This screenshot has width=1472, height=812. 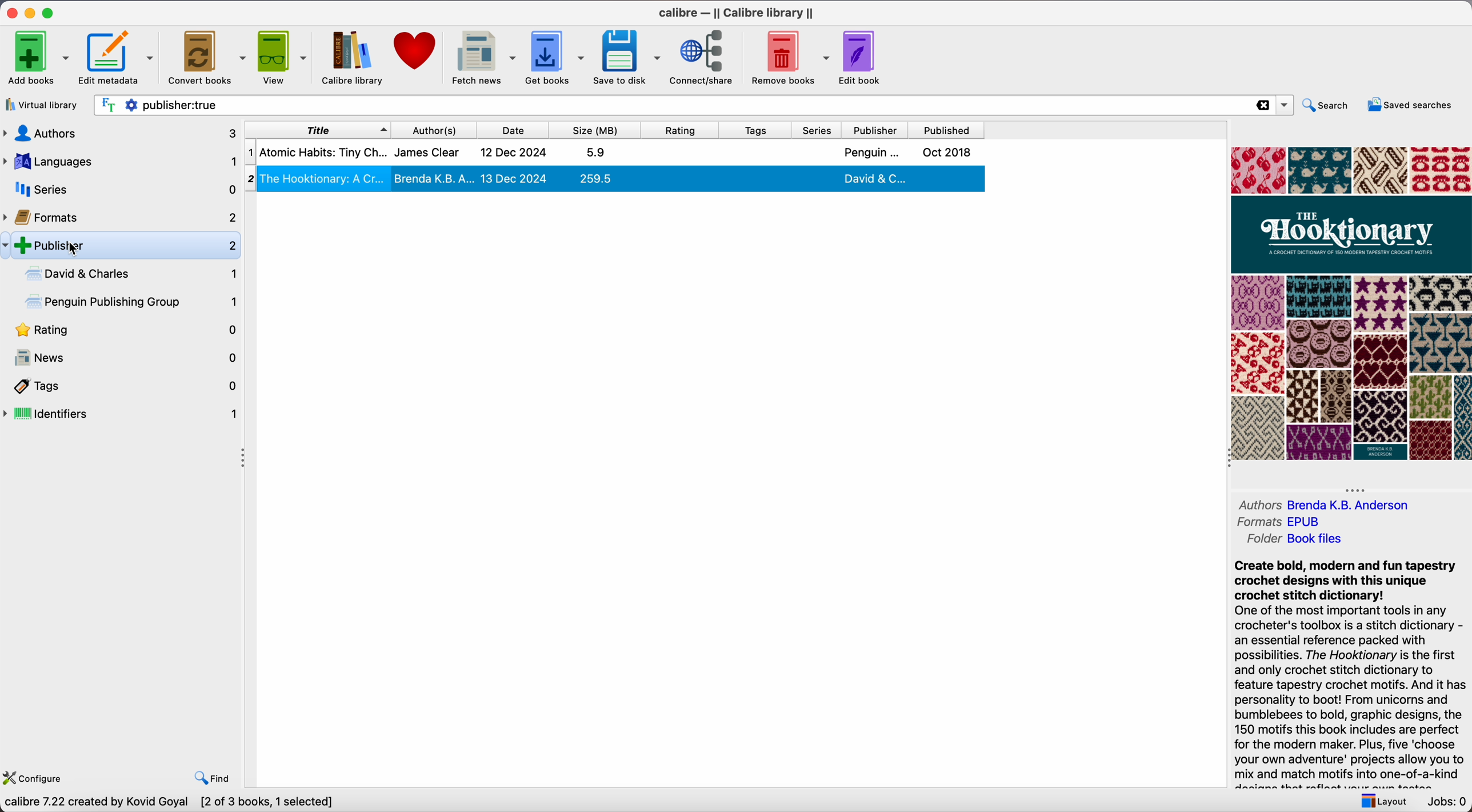 I want to click on synopsis, so click(x=1350, y=665).